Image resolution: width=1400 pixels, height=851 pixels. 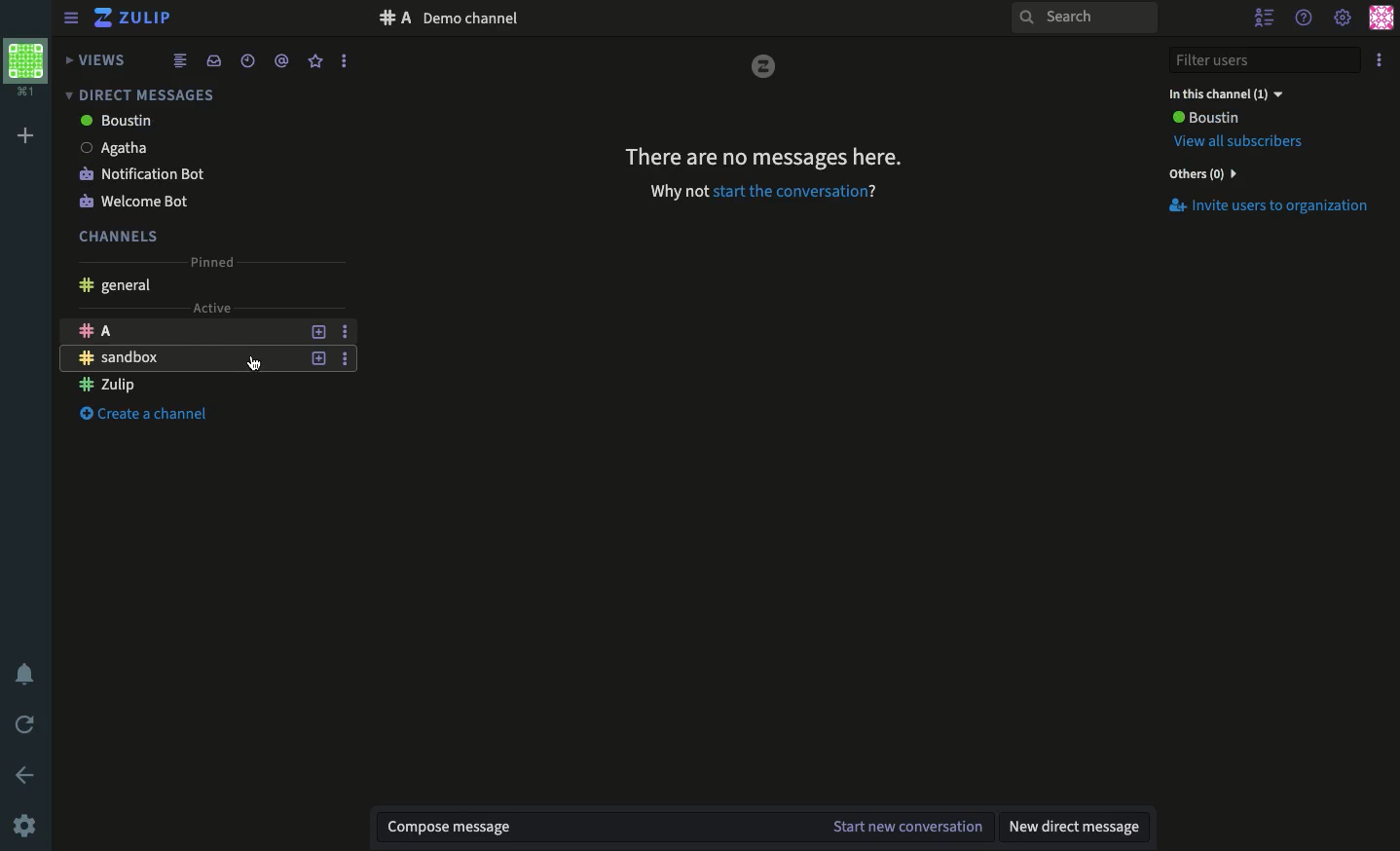 I want to click on Profile, so click(x=24, y=65).